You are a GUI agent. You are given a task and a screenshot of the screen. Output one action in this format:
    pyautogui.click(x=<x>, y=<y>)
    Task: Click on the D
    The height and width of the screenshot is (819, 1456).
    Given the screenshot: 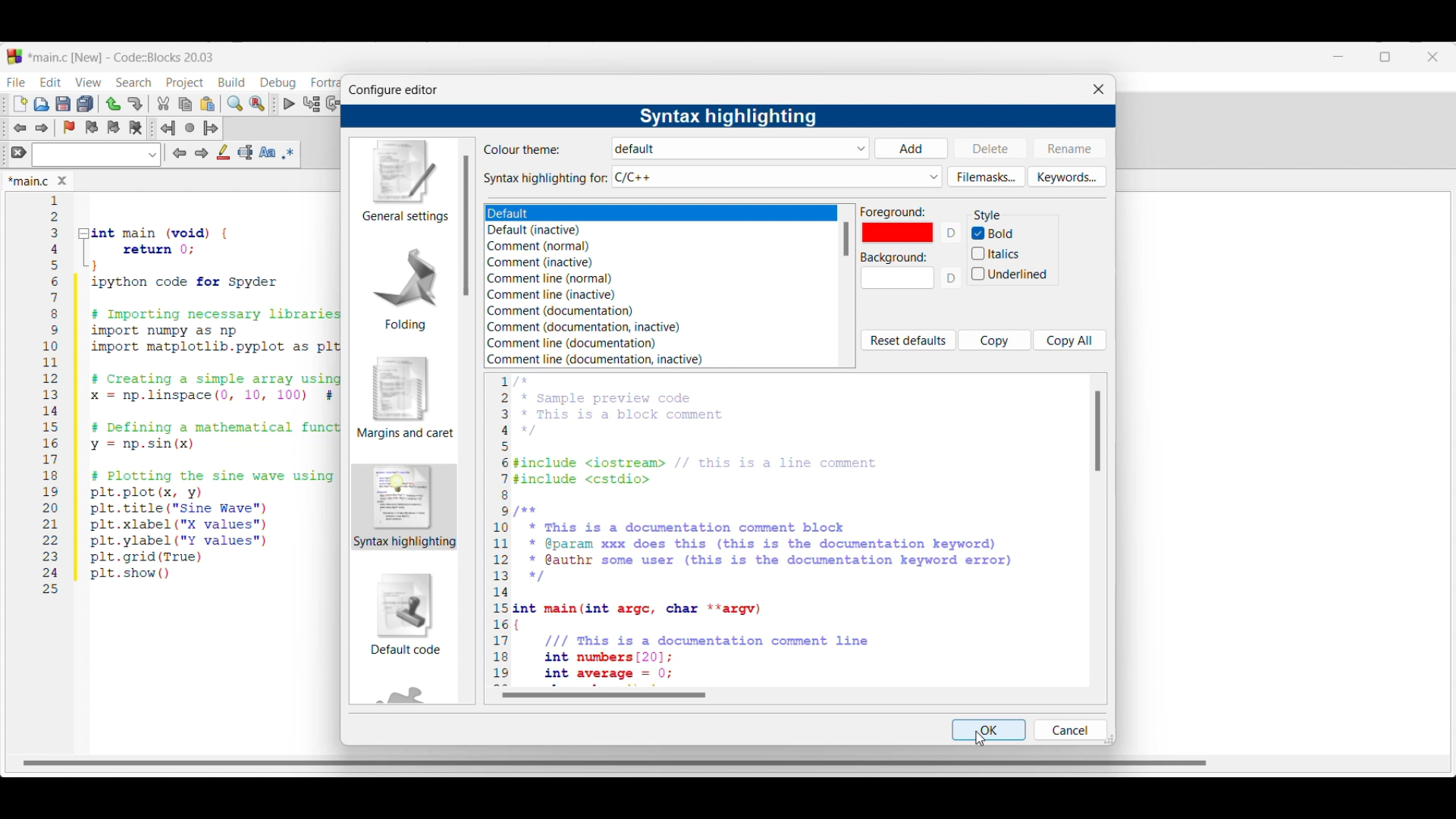 What is the action you would take?
    pyautogui.click(x=953, y=282)
    